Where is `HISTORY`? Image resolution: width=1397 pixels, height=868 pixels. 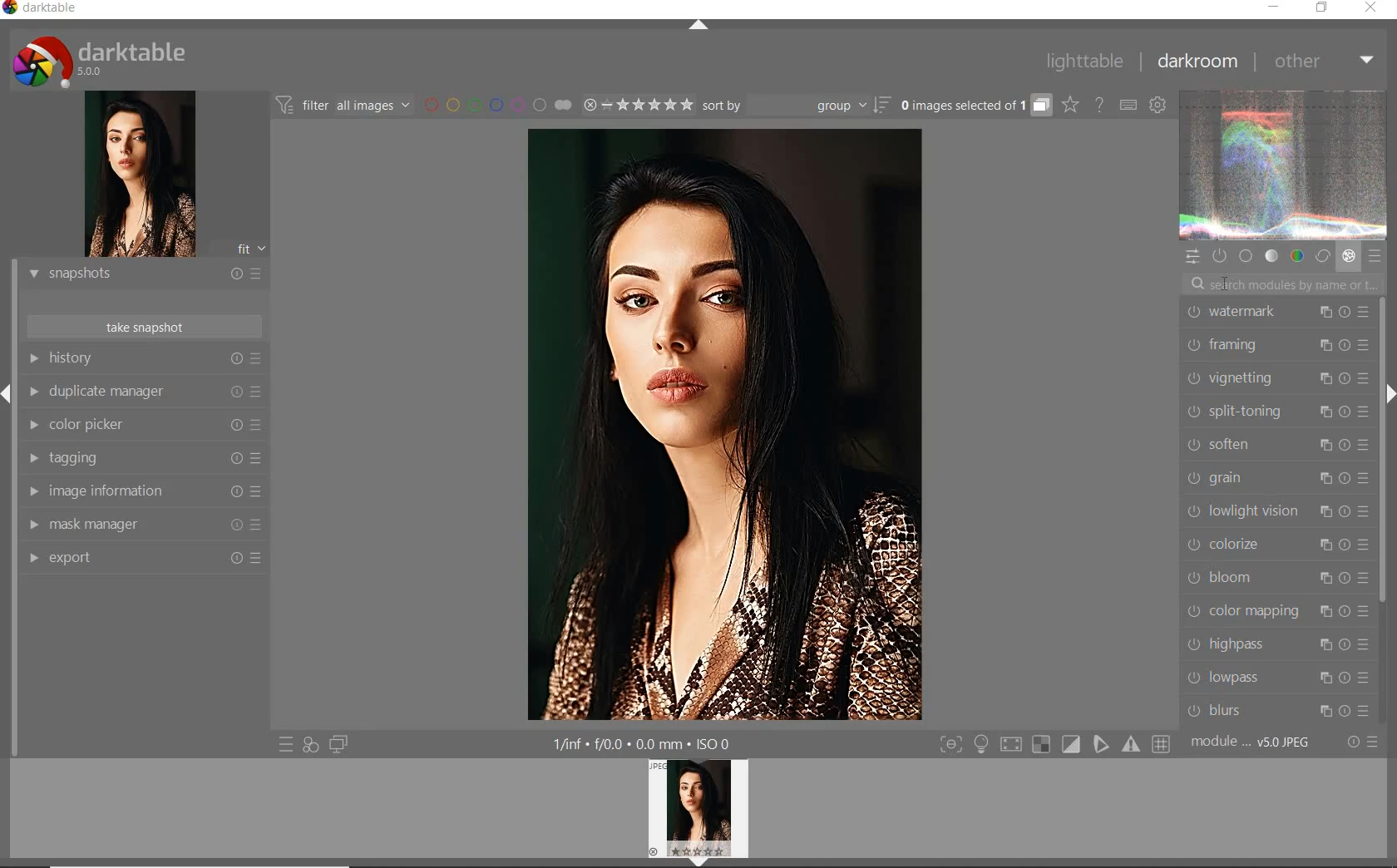 HISTORY is located at coordinates (144, 360).